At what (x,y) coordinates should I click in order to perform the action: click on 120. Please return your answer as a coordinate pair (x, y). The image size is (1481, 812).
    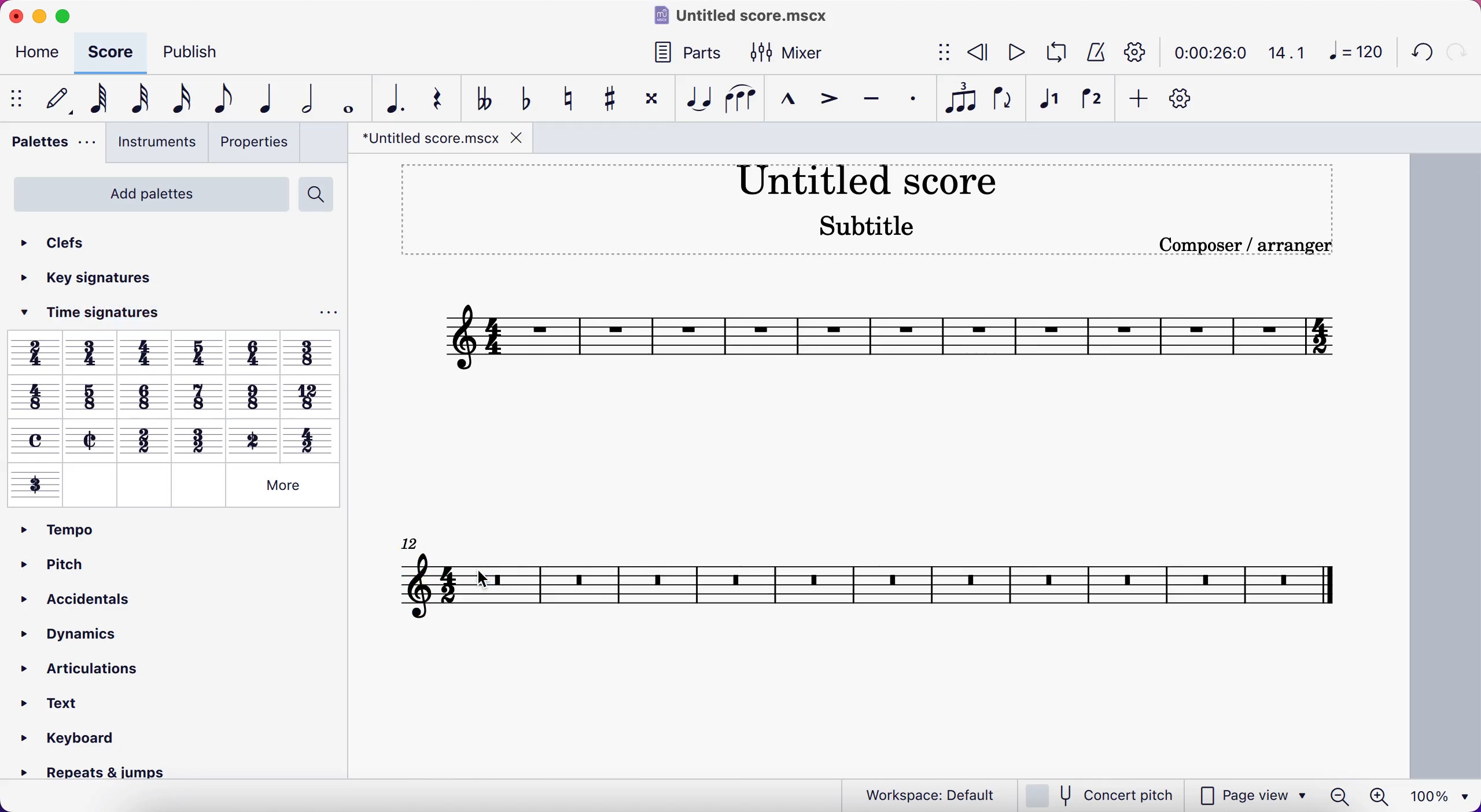
    Looking at the image, I should click on (1353, 52).